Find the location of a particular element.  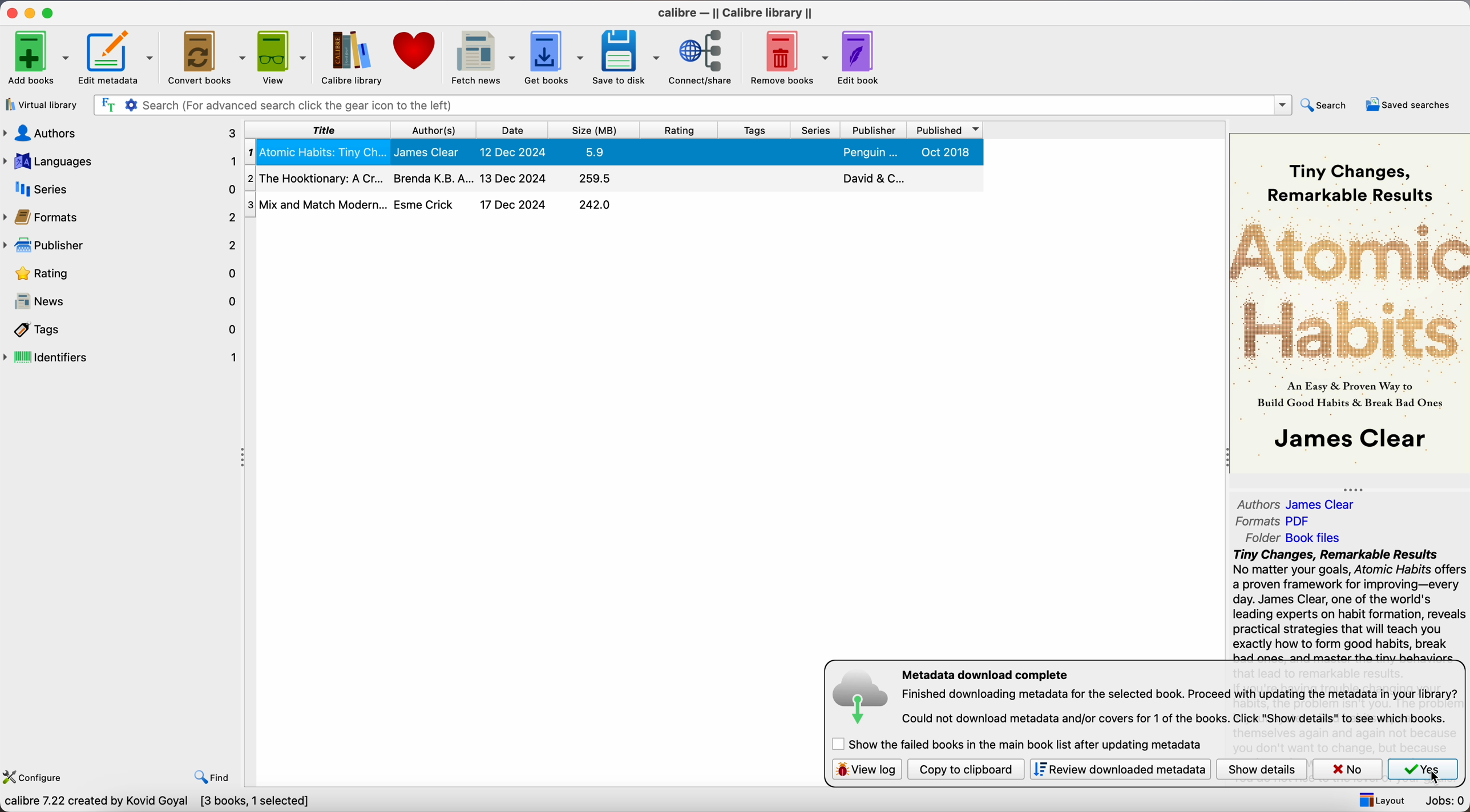

save to disk is located at coordinates (627, 58).